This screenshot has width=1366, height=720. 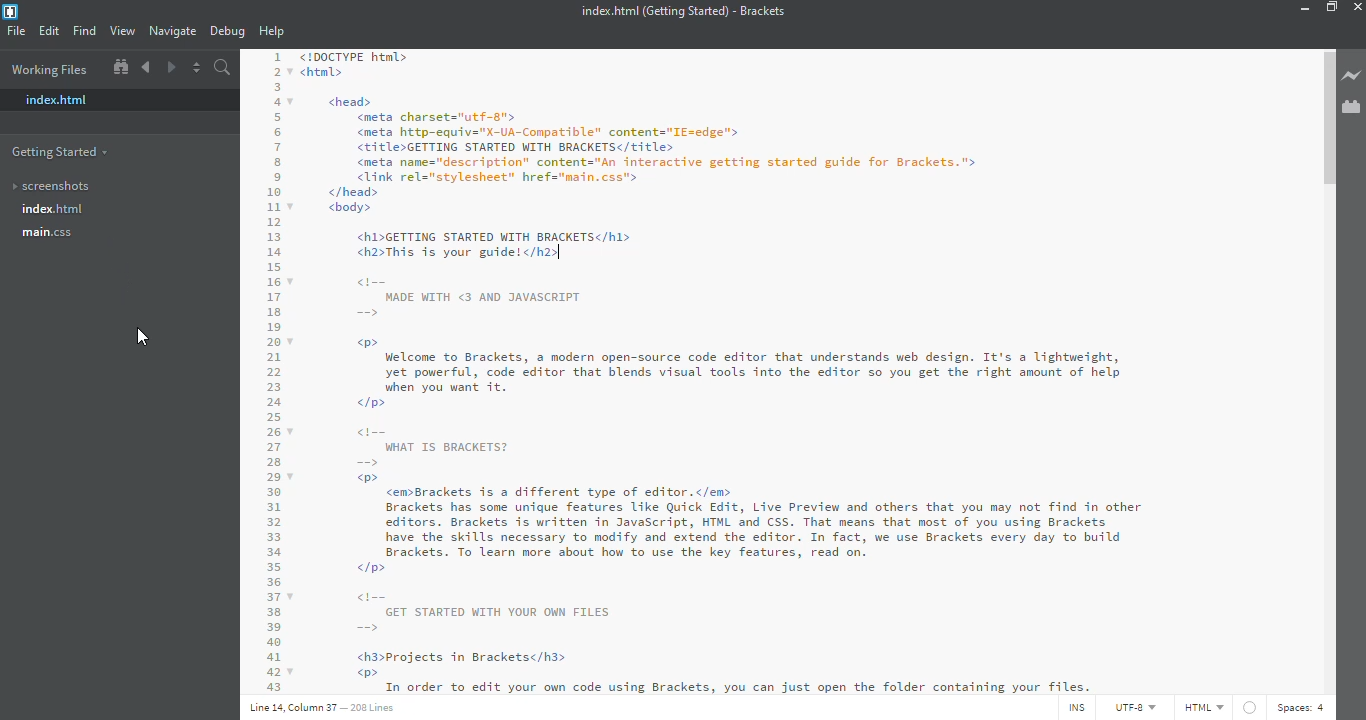 What do you see at coordinates (1352, 74) in the screenshot?
I see `live preview` at bounding box center [1352, 74].